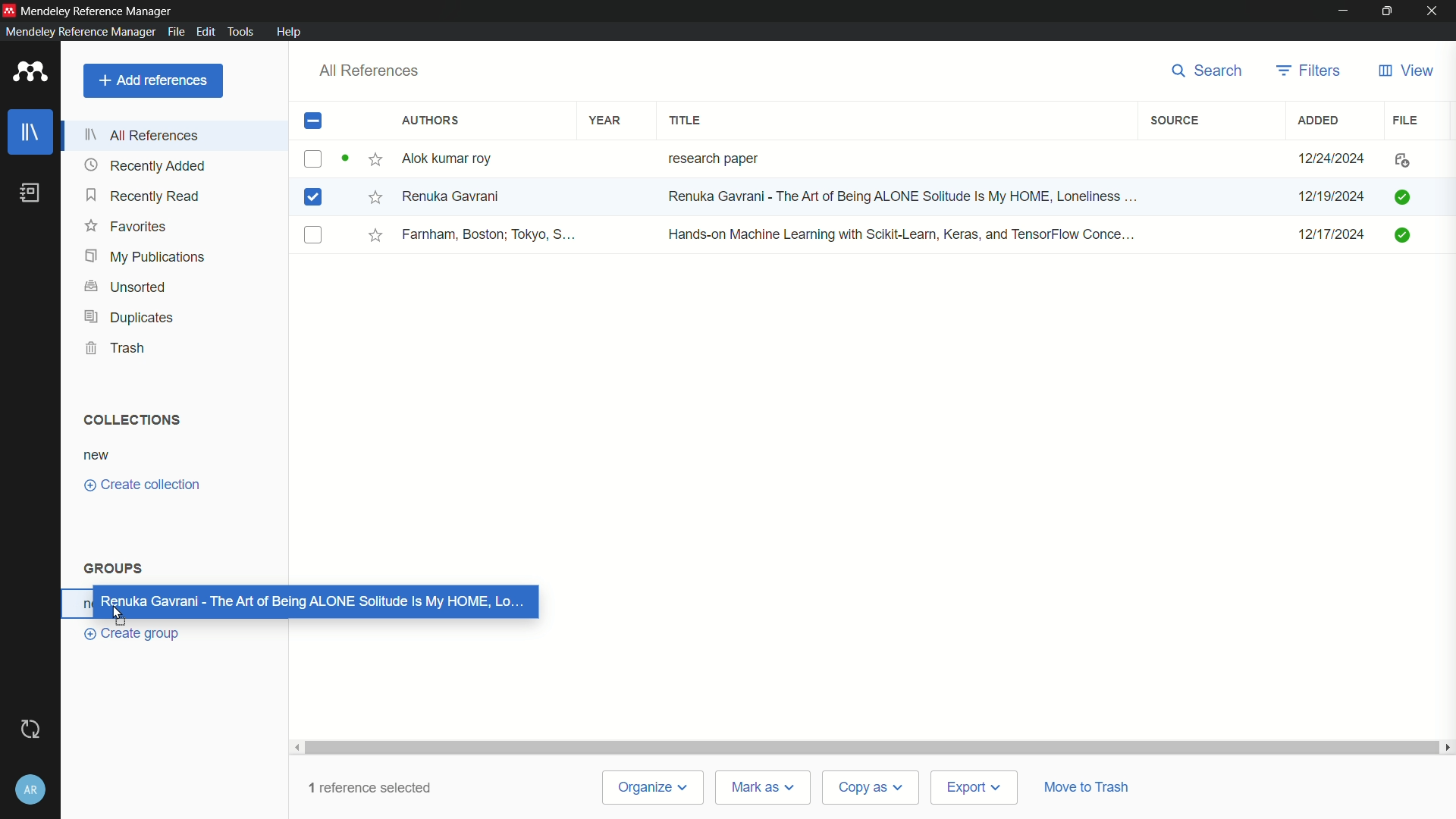  What do you see at coordinates (592, 207) in the screenshot?
I see `cursor` at bounding box center [592, 207].